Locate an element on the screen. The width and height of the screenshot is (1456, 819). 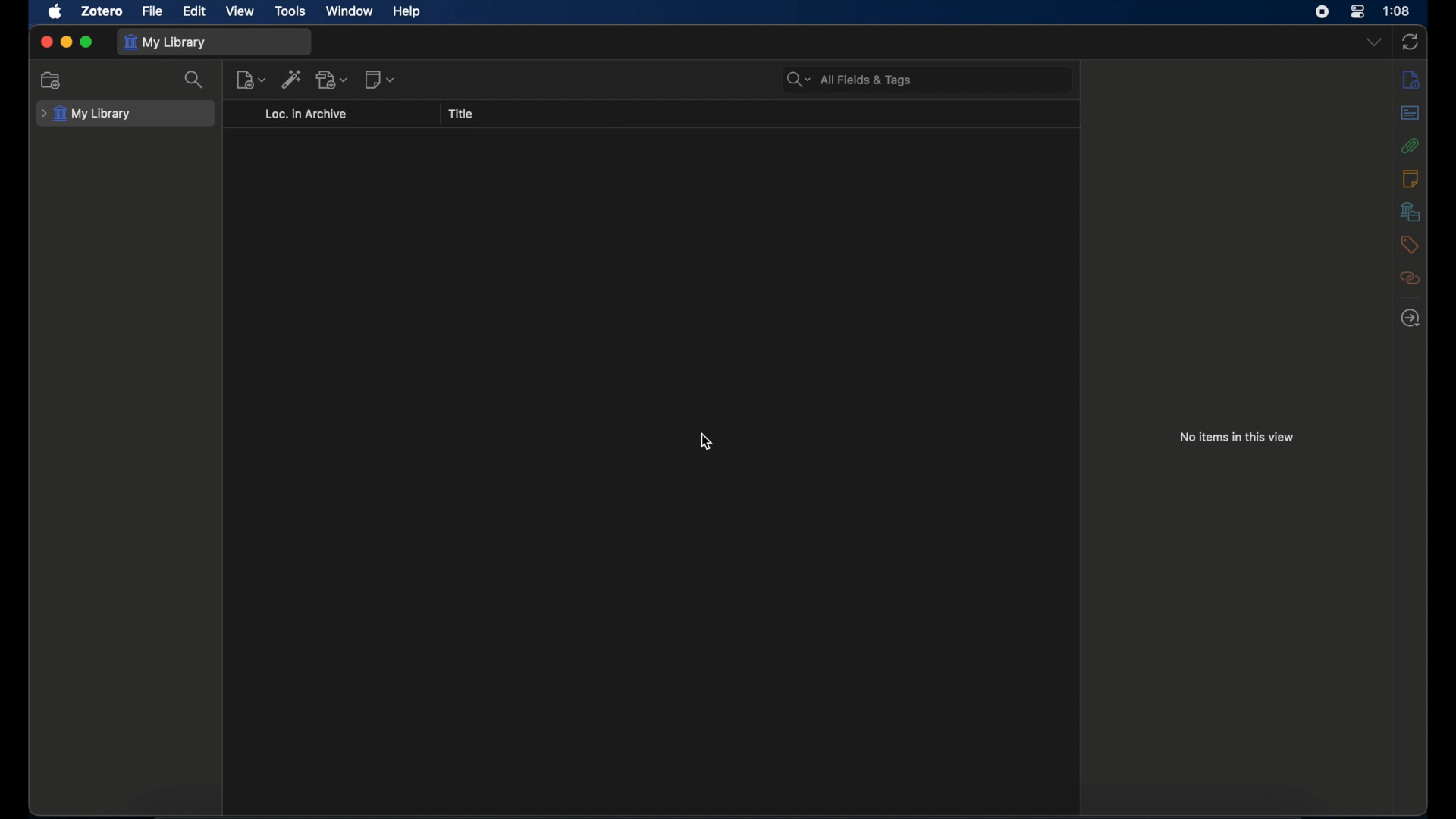
sync is located at coordinates (1411, 42).